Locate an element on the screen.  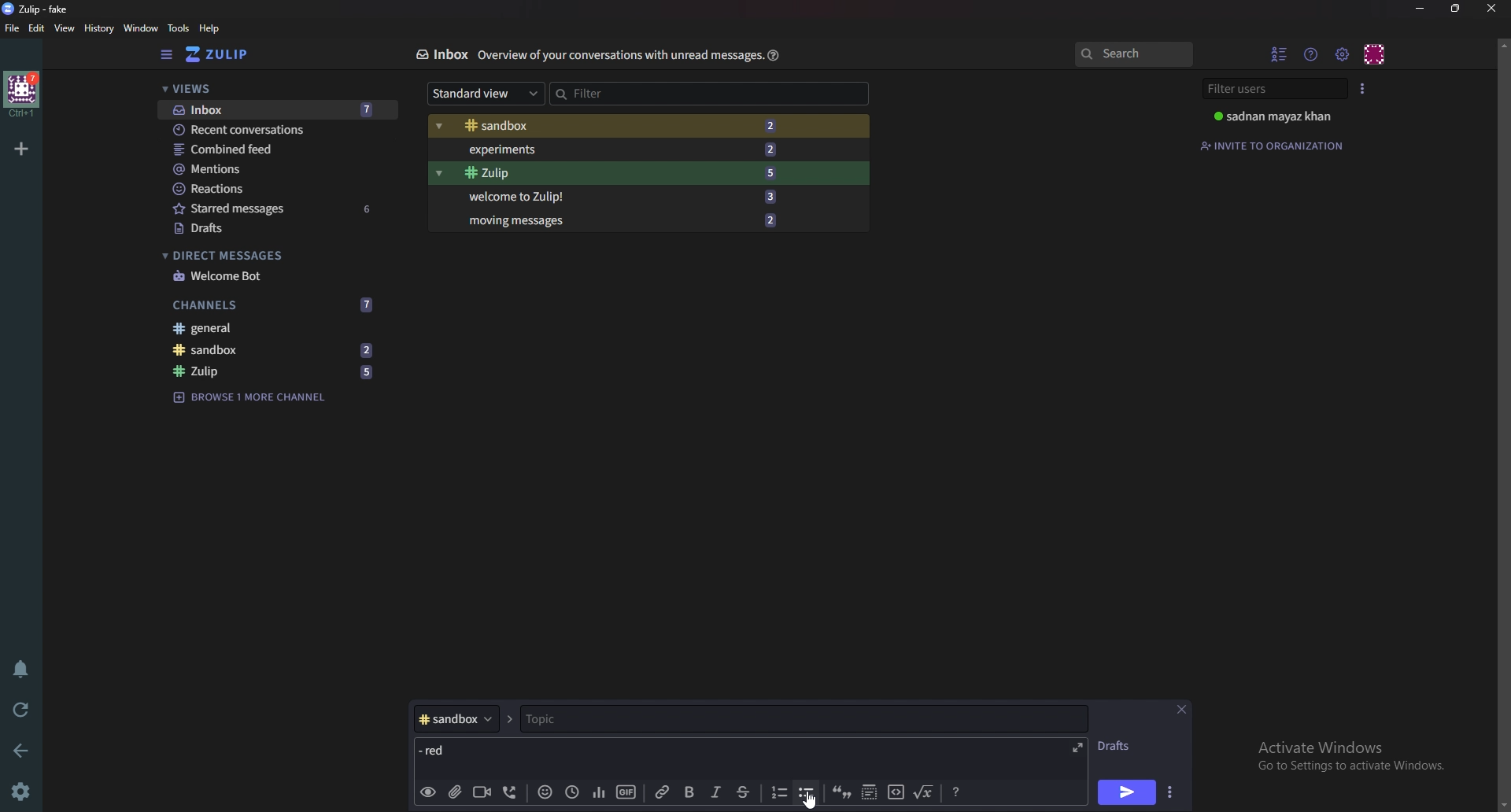
welcome bot is located at coordinates (273, 276).